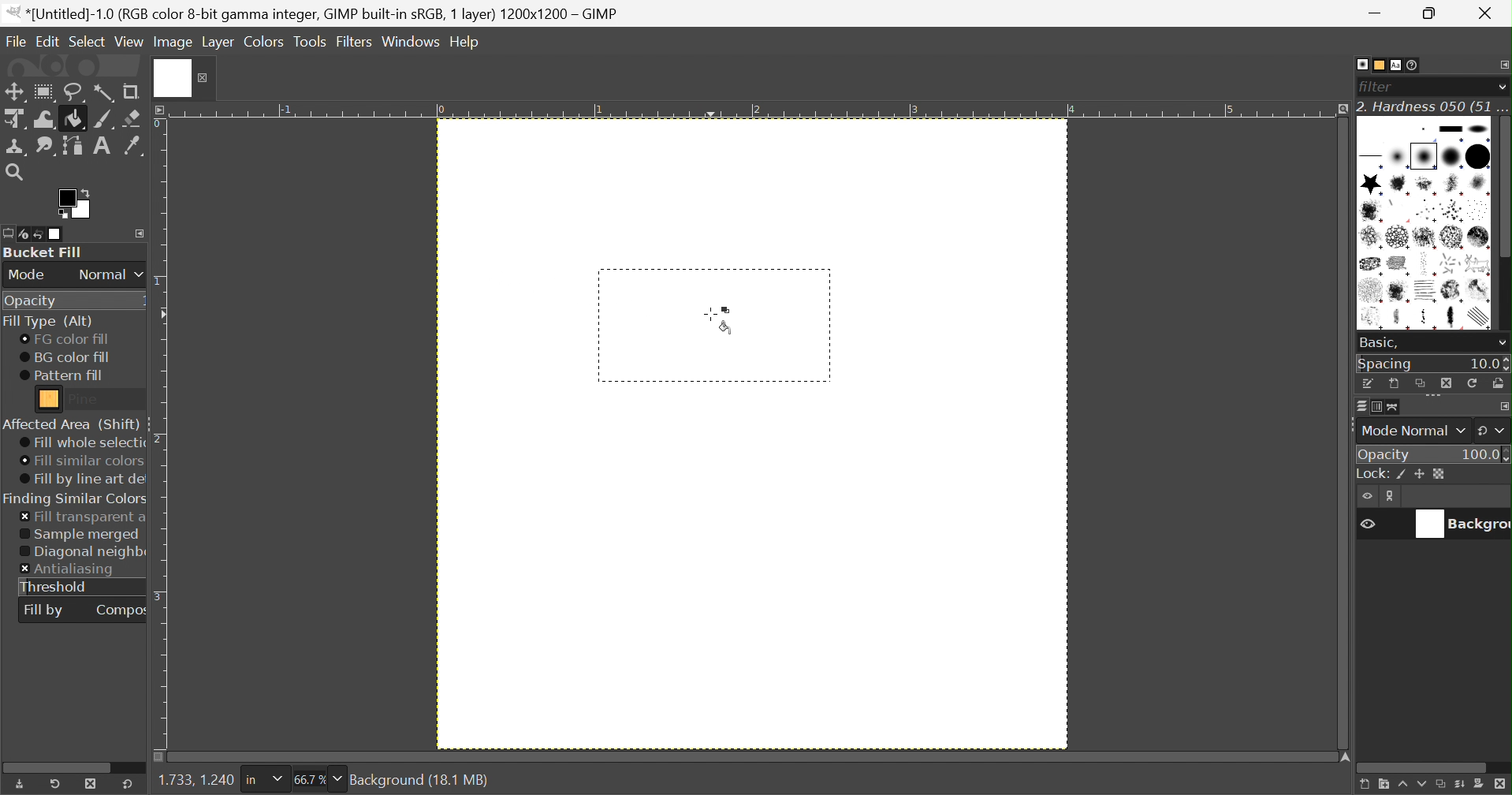 The image size is (1512, 795). What do you see at coordinates (1366, 522) in the screenshot?
I see `Eye` at bounding box center [1366, 522].